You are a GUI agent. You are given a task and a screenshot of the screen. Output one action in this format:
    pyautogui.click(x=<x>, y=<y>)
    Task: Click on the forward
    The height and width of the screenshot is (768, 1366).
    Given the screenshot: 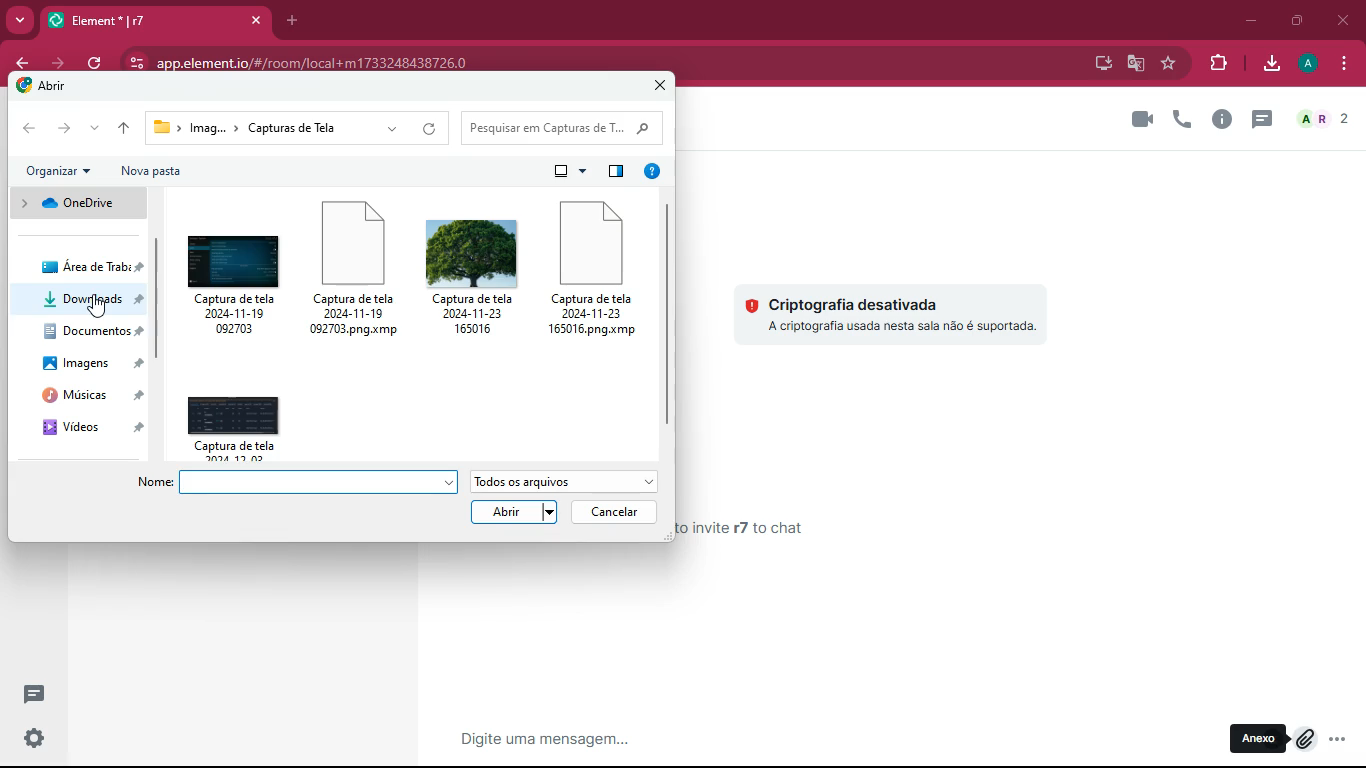 What is the action you would take?
    pyautogui.click(x=68, y=128)
    